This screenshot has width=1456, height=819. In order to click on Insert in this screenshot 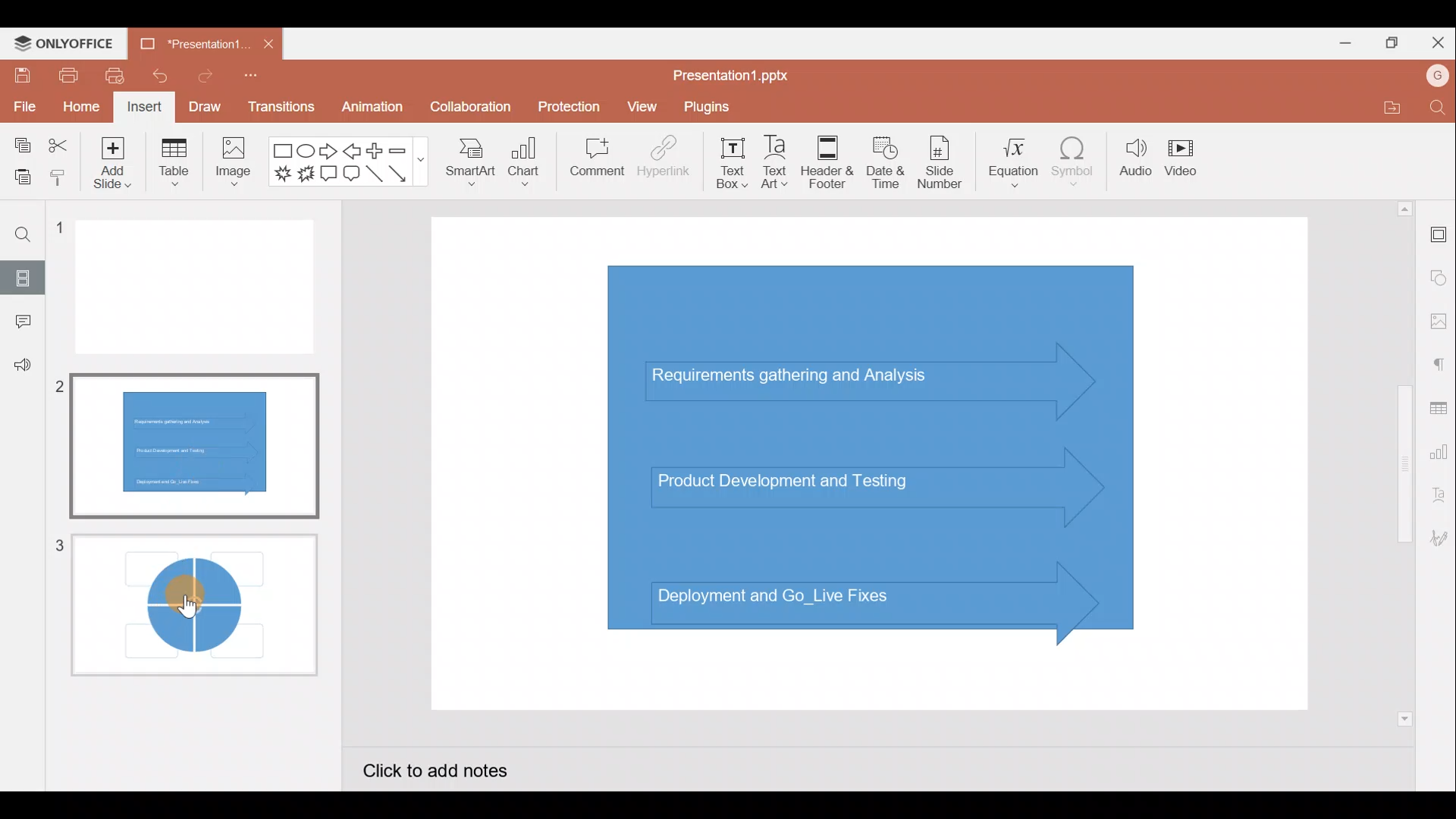, I will do `click(144, 106)`.